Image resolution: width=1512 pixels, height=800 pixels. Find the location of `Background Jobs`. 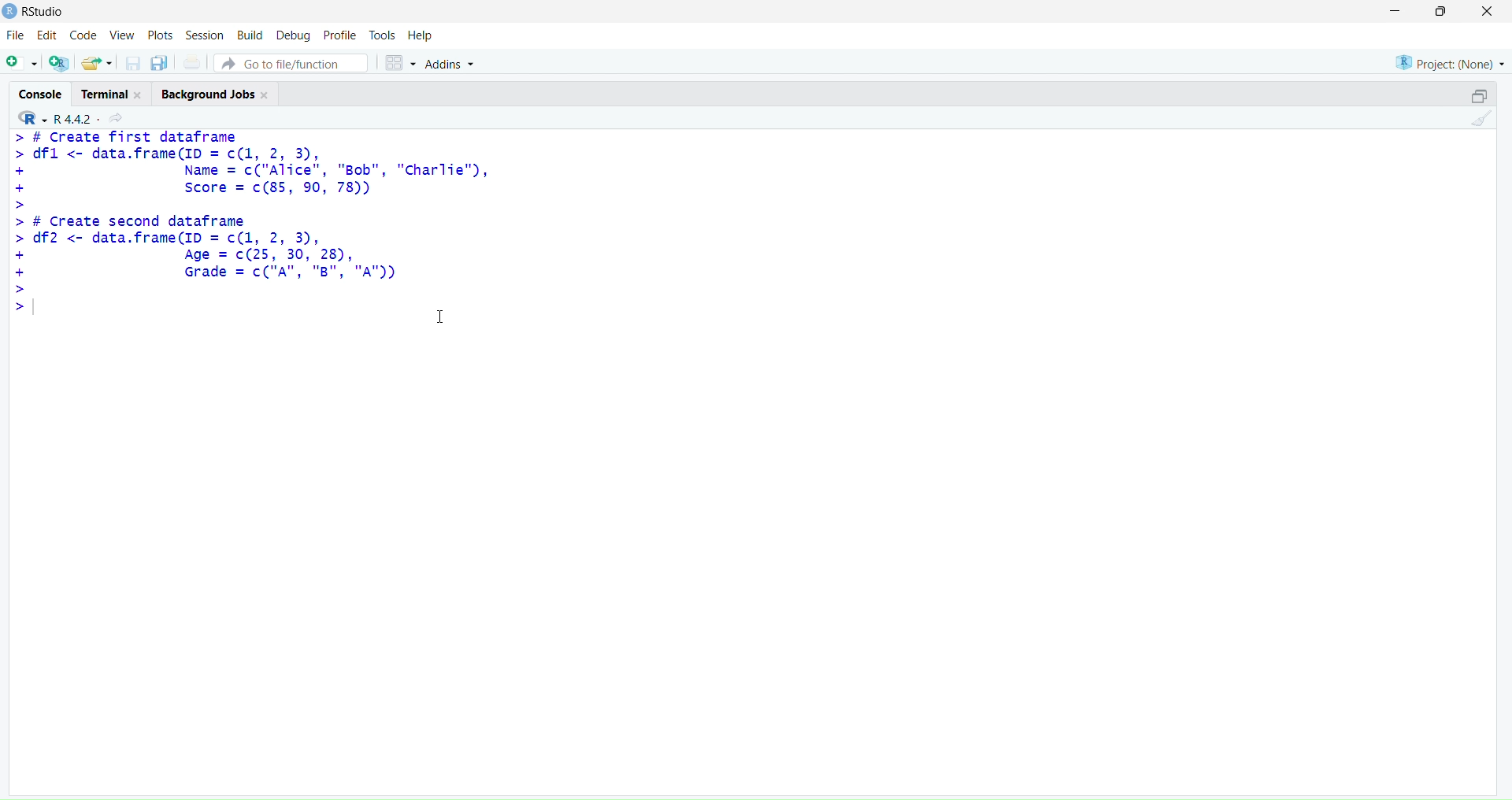

Background Jobs is located at coordinates (217, 93).